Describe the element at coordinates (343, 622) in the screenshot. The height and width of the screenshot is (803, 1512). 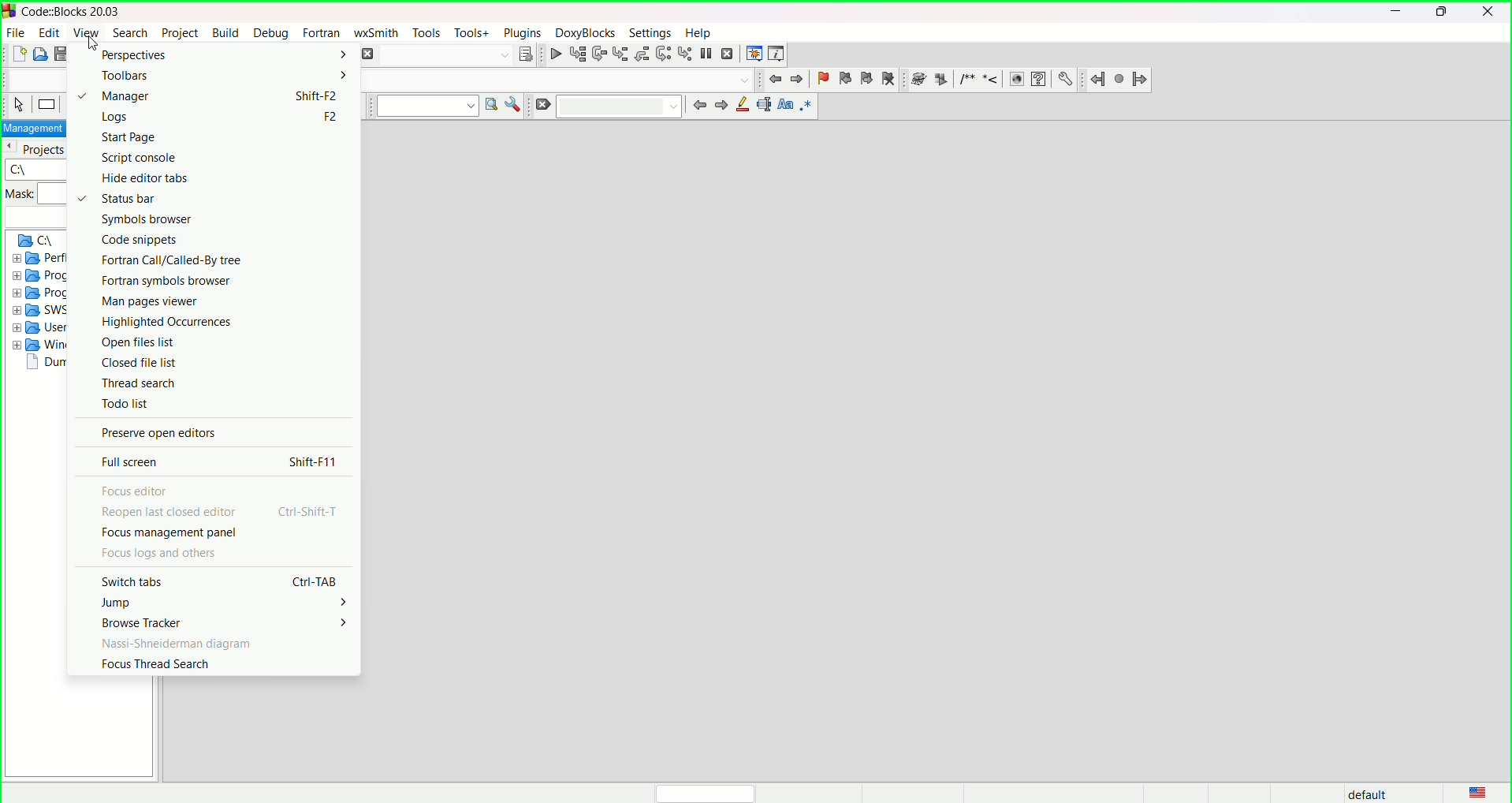
I see `arrow` at that location.